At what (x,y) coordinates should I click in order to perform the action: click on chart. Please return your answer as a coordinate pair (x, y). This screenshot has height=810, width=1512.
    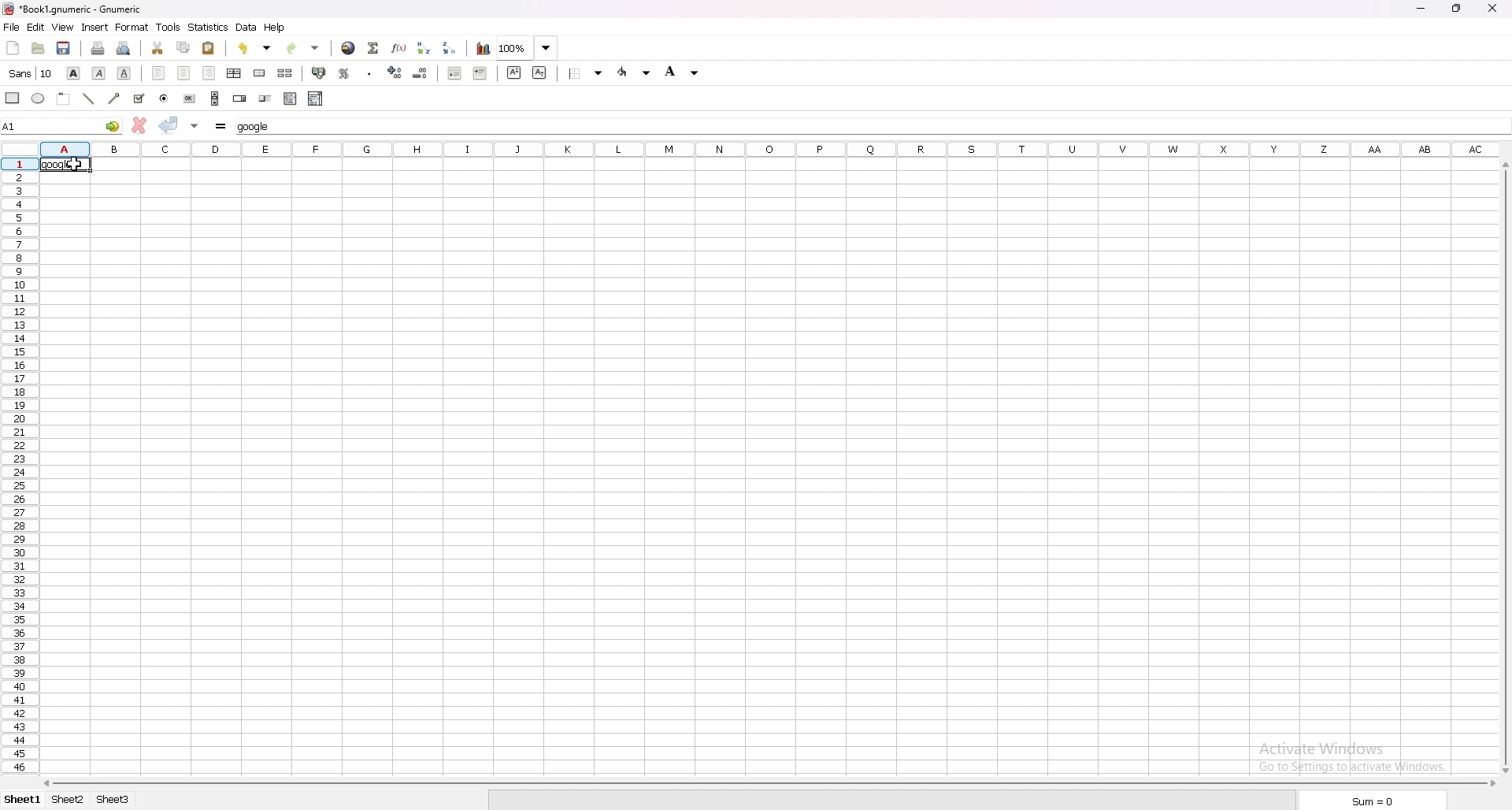
    Looking at the image, I should click on (484, 50).